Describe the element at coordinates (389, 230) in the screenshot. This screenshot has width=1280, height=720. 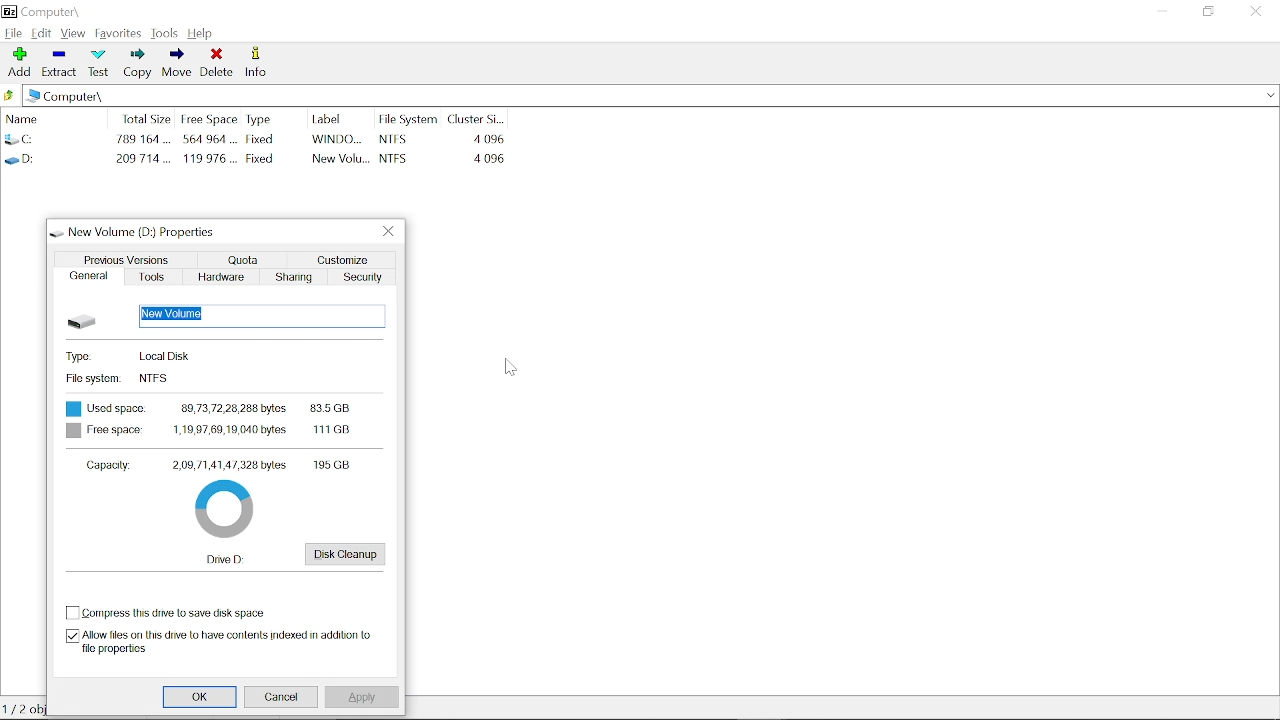
I see `close` at that location.